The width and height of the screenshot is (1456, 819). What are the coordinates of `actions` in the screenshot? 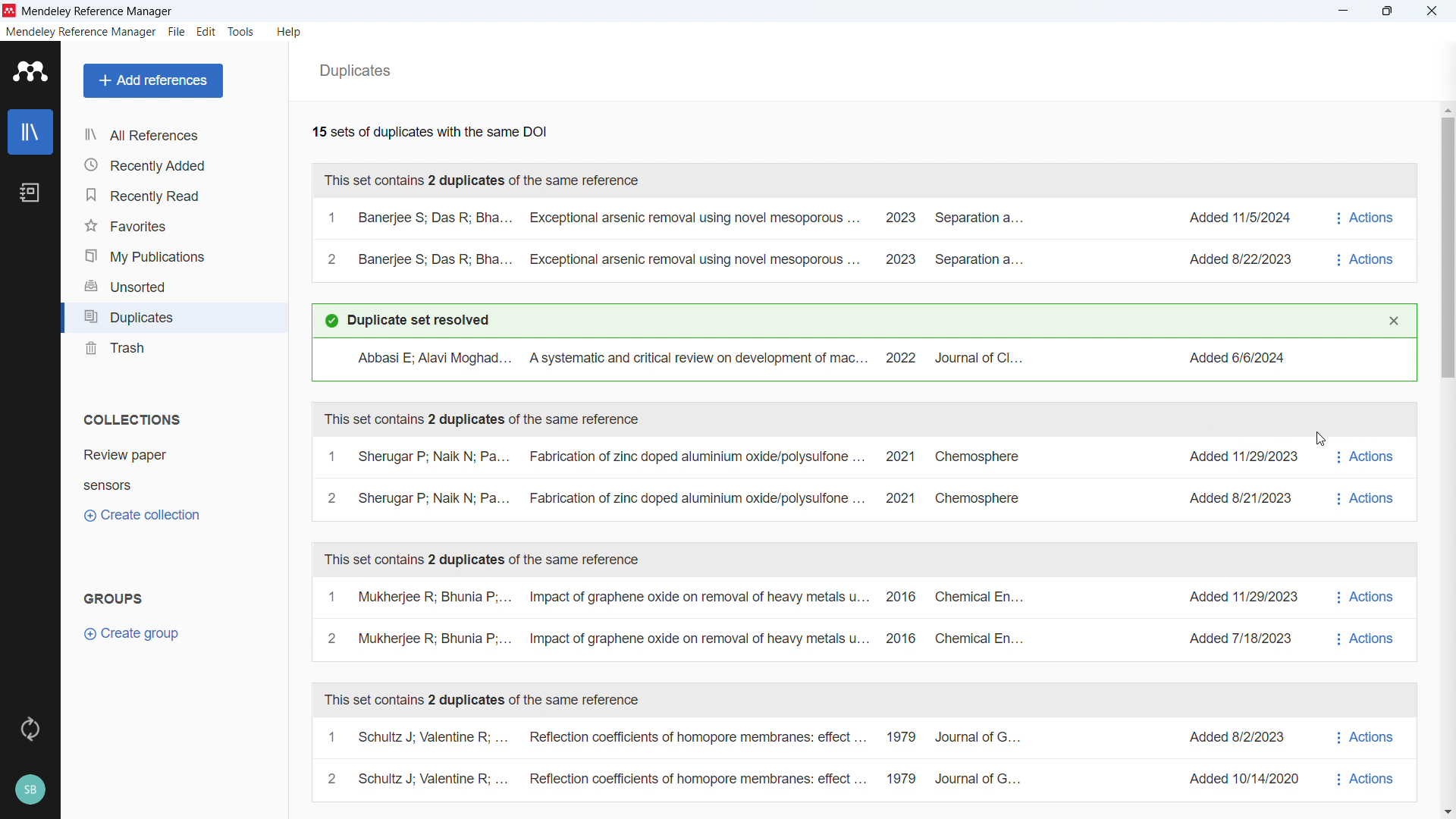 It's located at (1363, 479).